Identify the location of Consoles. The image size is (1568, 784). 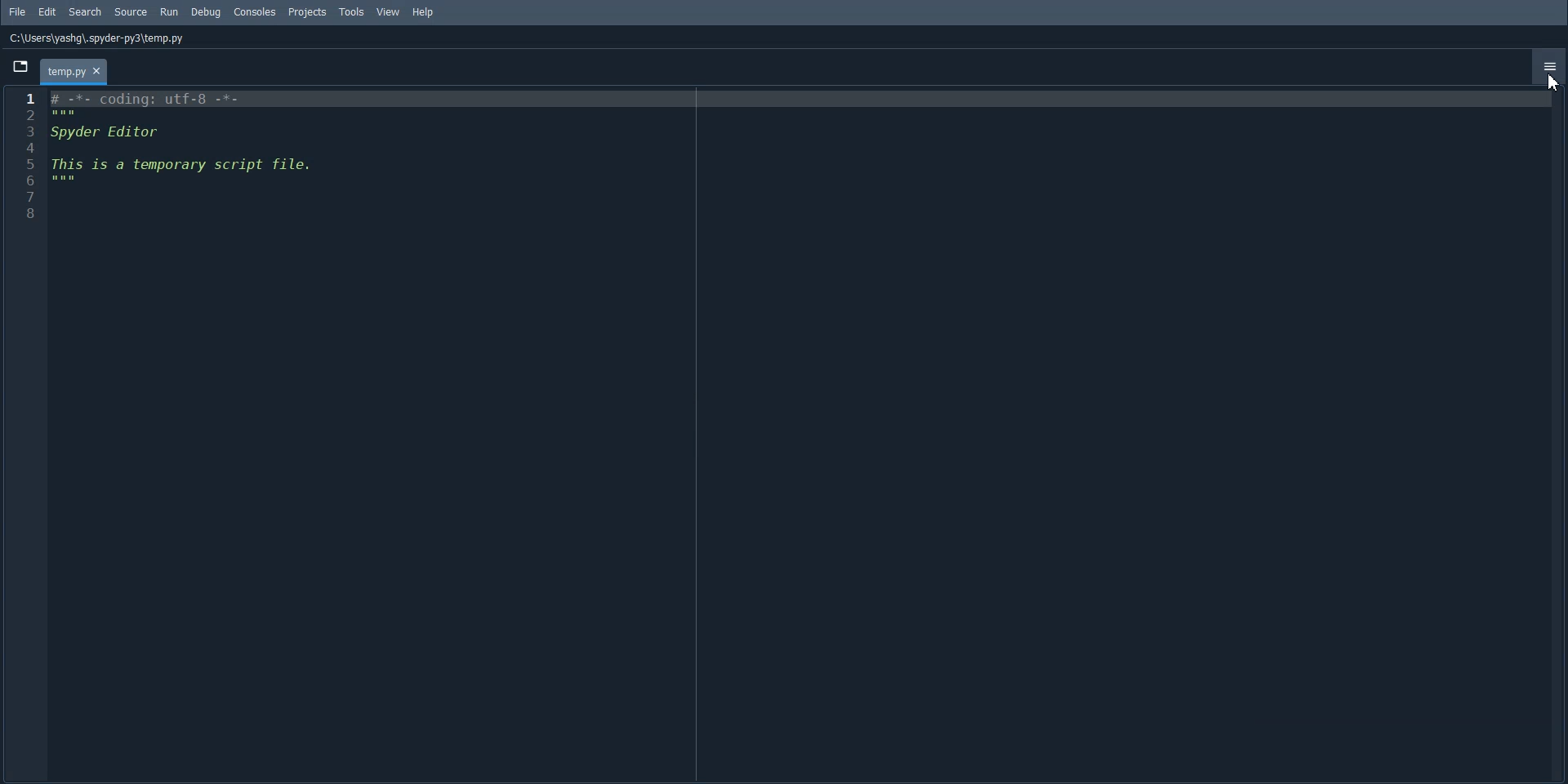
(254, 11).